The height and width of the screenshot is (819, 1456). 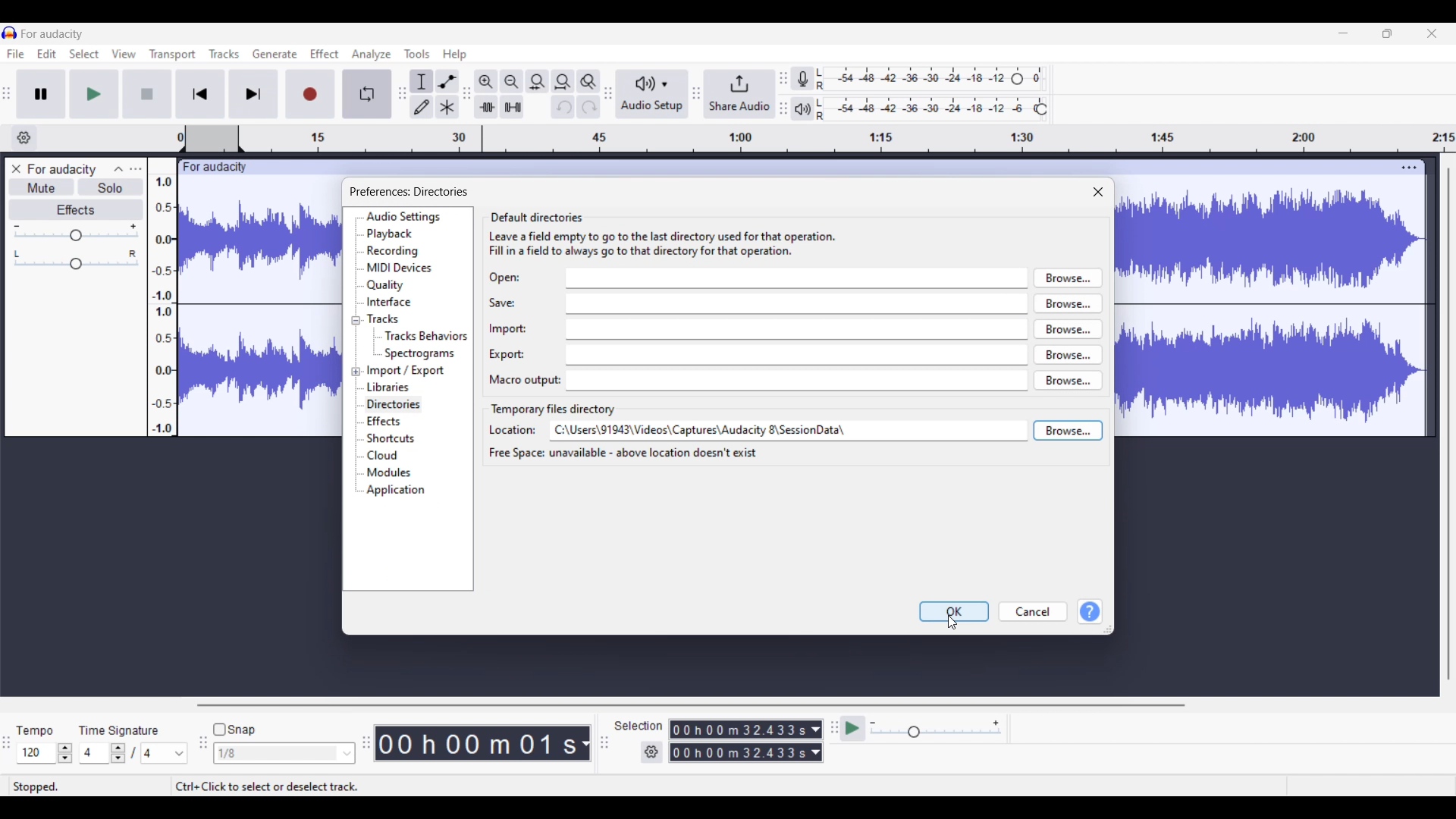 I want to click on Spectrograms, so click(x=421, y=354).